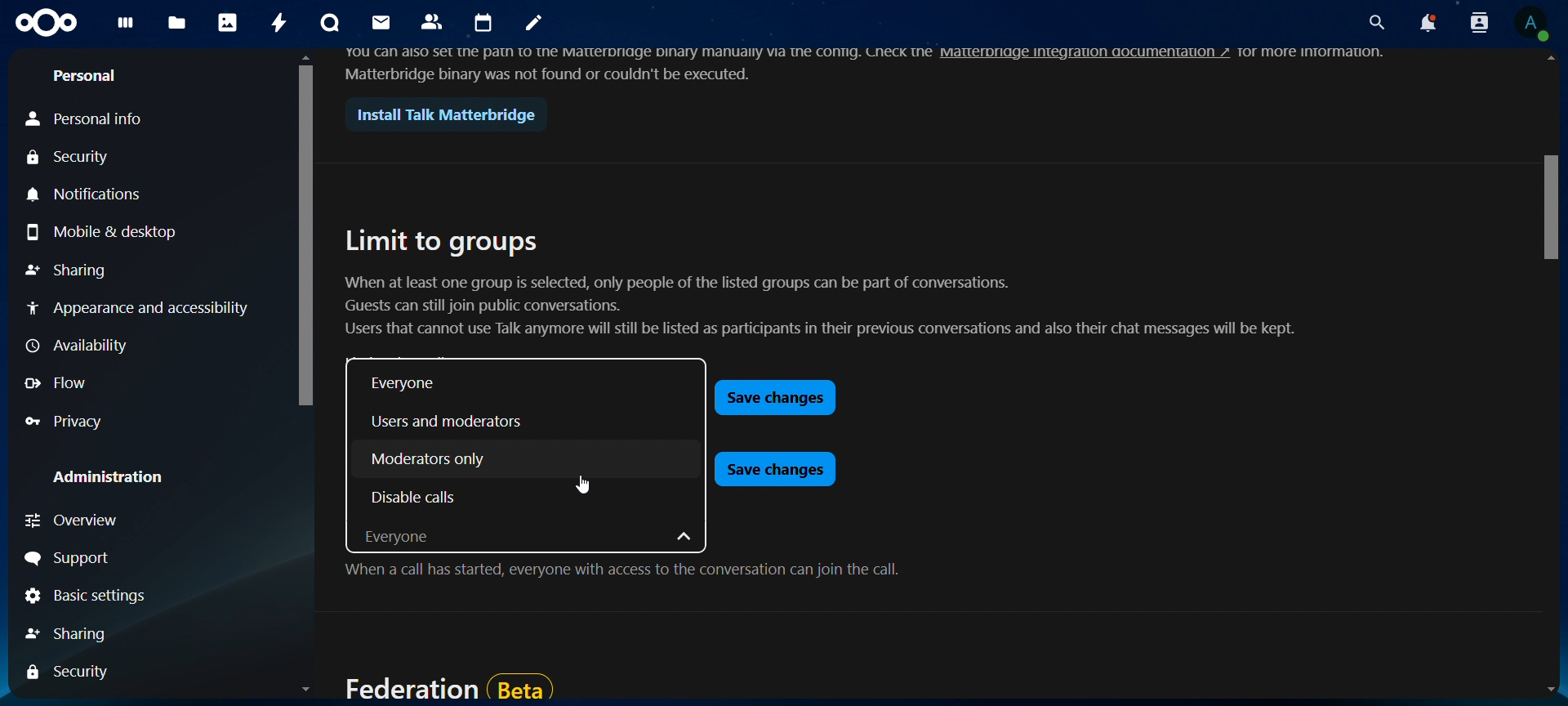  Describe the element at coordinates (97, 480) in the screenshot. I see `Administration` at that location.